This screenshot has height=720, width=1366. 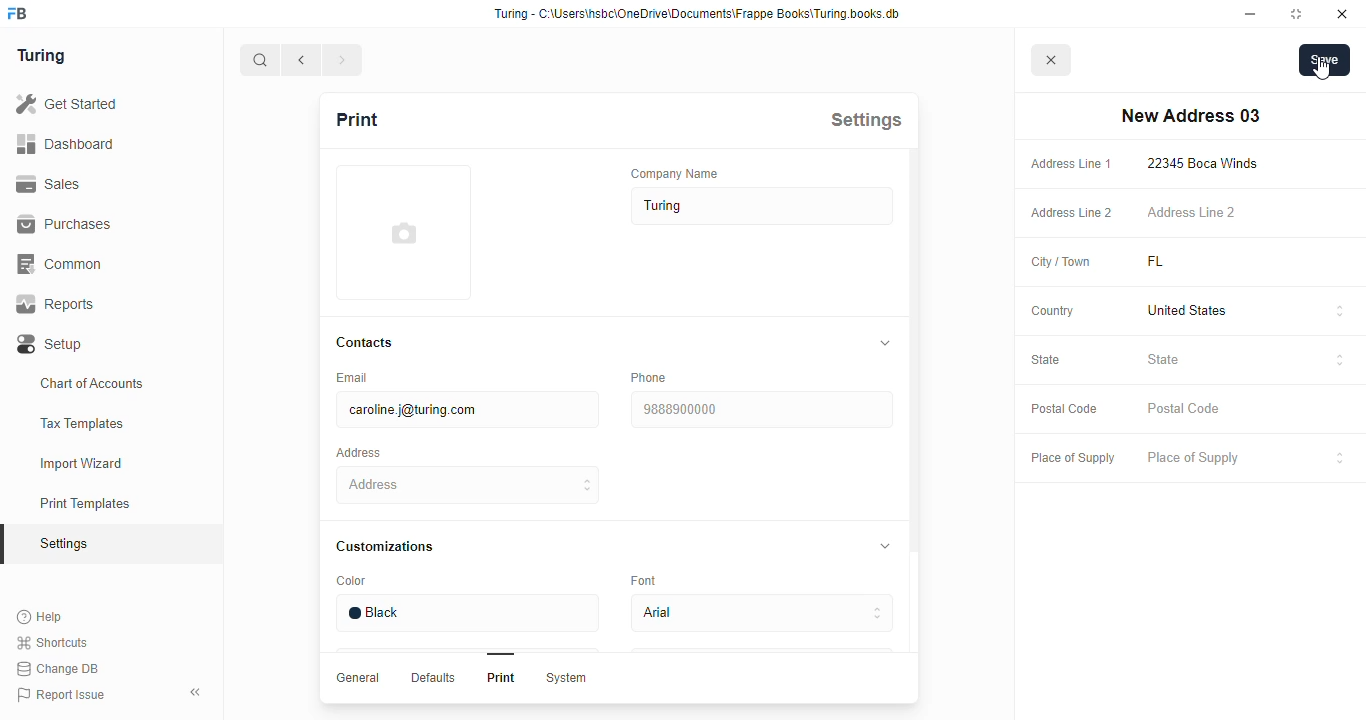 I want to click on contacts, so click(x=366, y=343).